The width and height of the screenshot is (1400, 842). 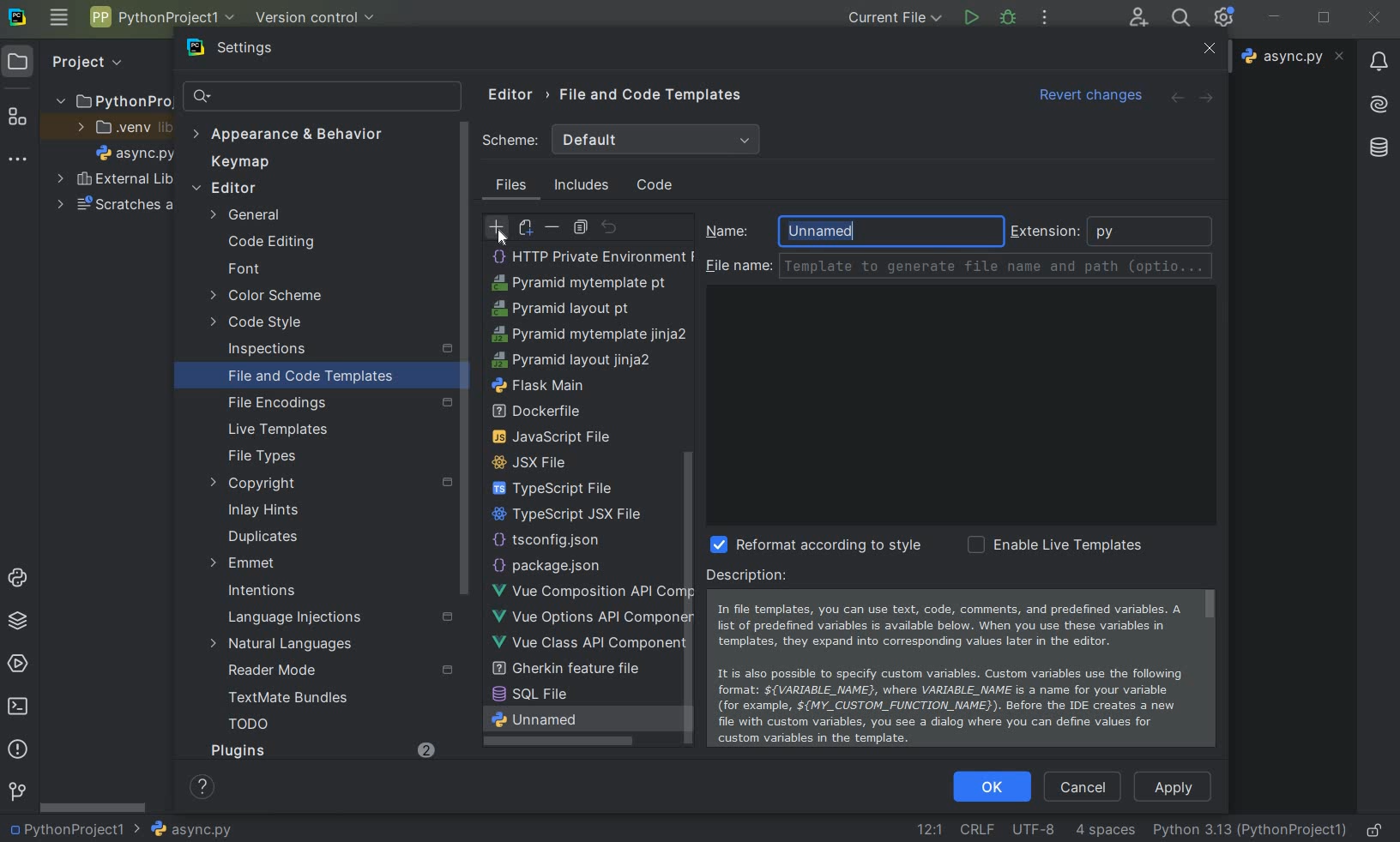 I want to click on project name, so click(x=114, y=99).